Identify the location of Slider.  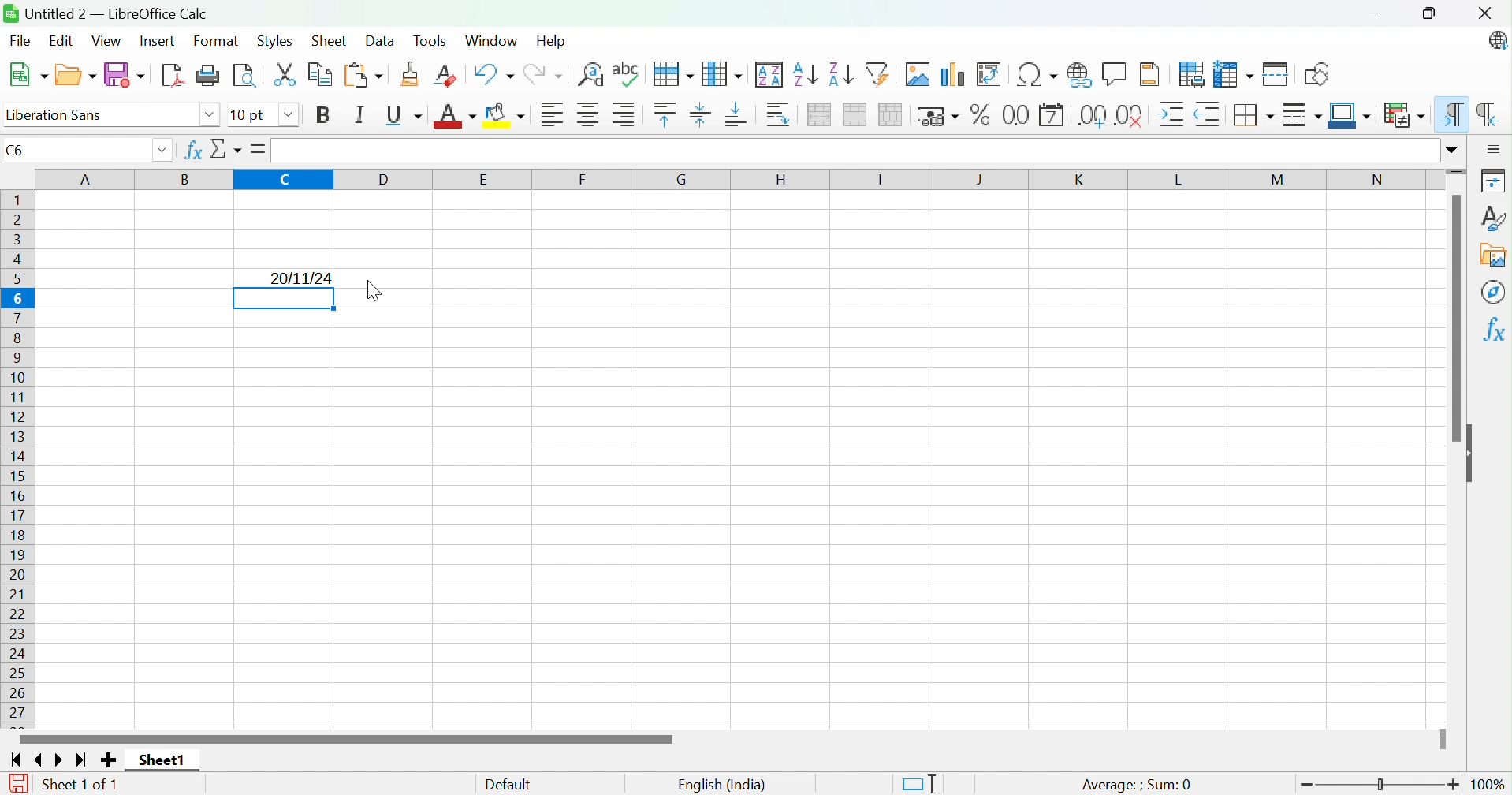
(1456, 171).